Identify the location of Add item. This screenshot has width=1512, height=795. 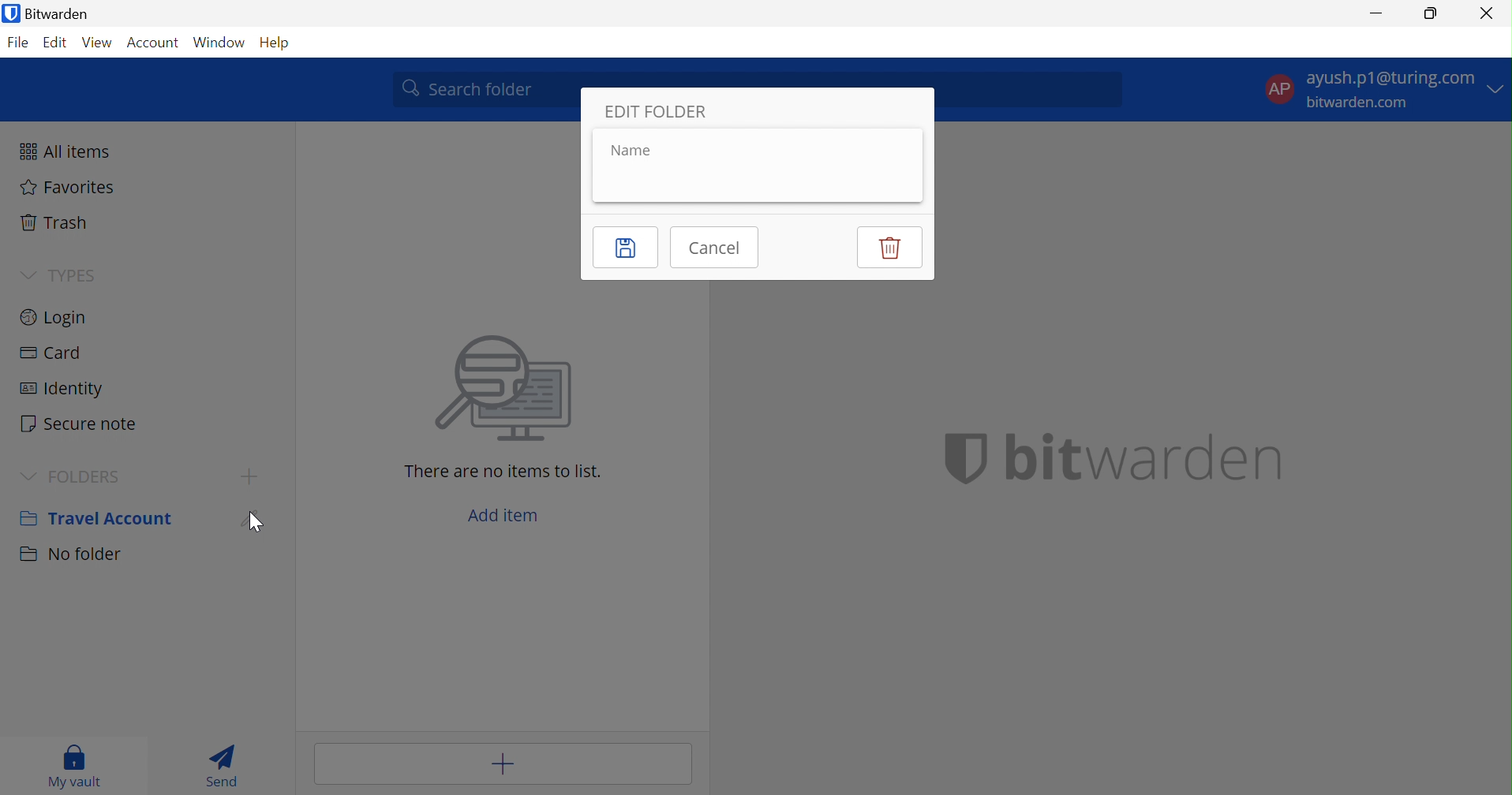
(506, 512).